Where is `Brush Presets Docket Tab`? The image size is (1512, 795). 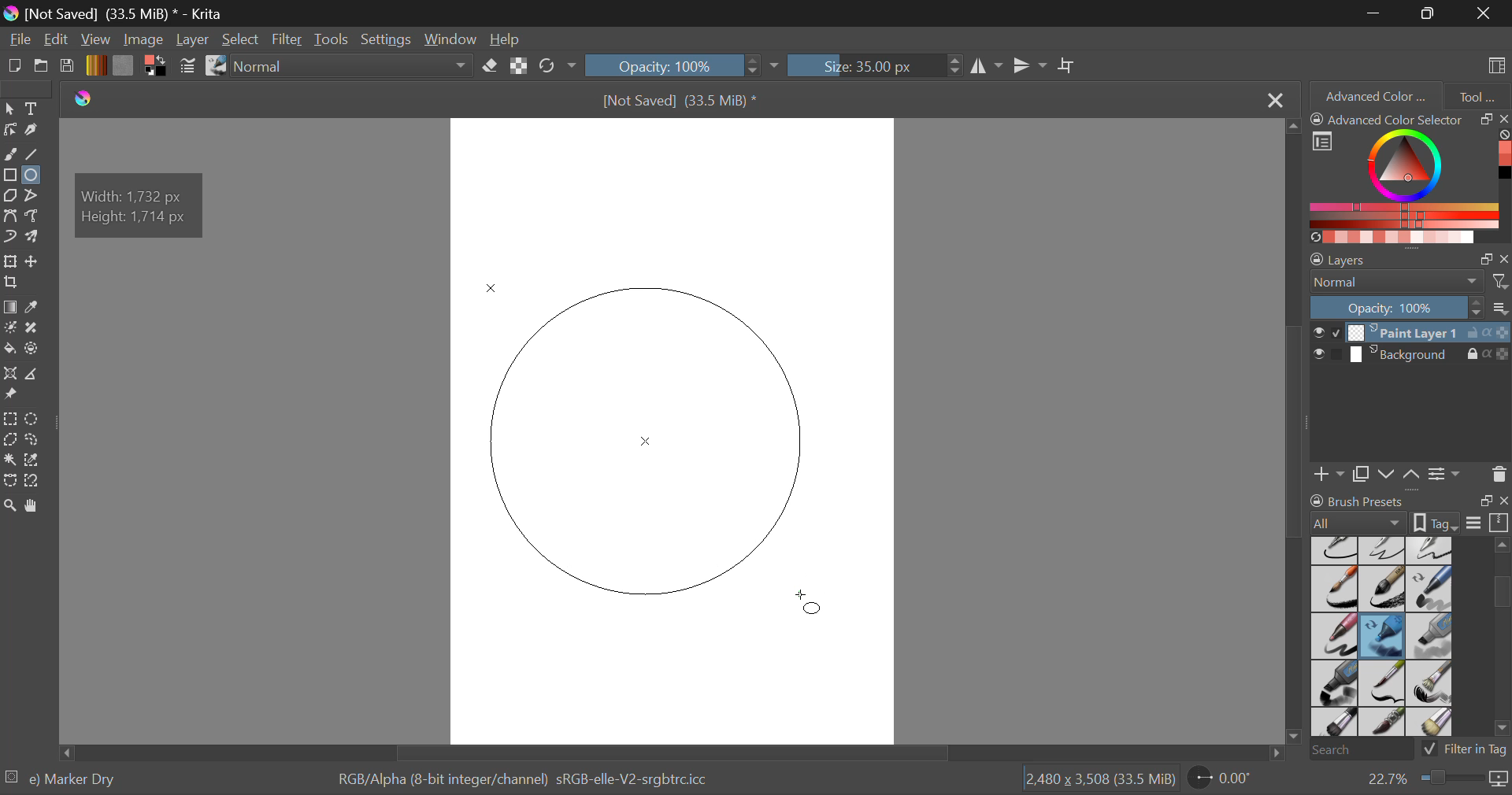 Brush Presets Docket Tab is located at coordinates (1409, 509).